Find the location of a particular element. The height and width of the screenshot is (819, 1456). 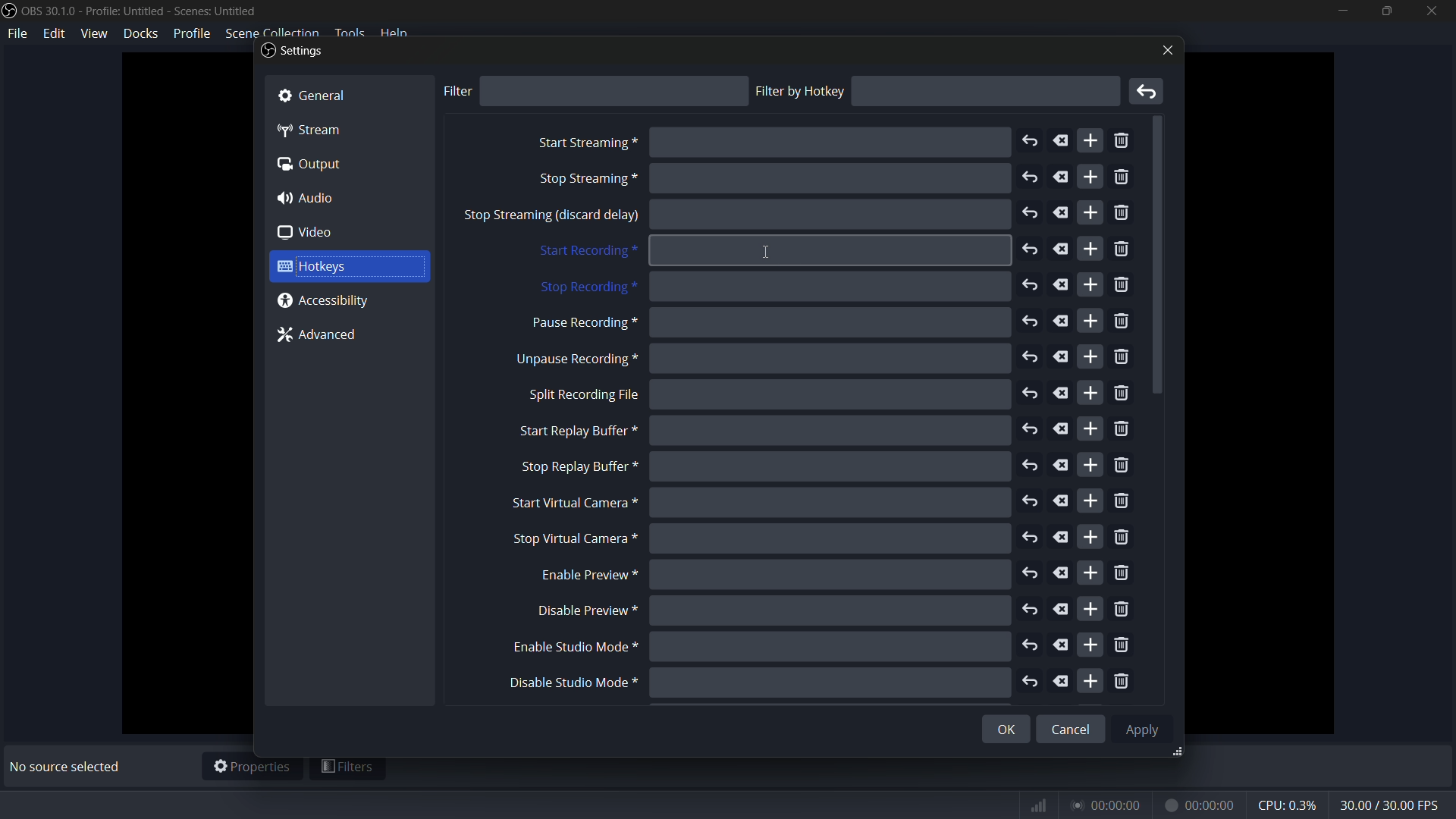

remove is located at coordinates (1125, 142).